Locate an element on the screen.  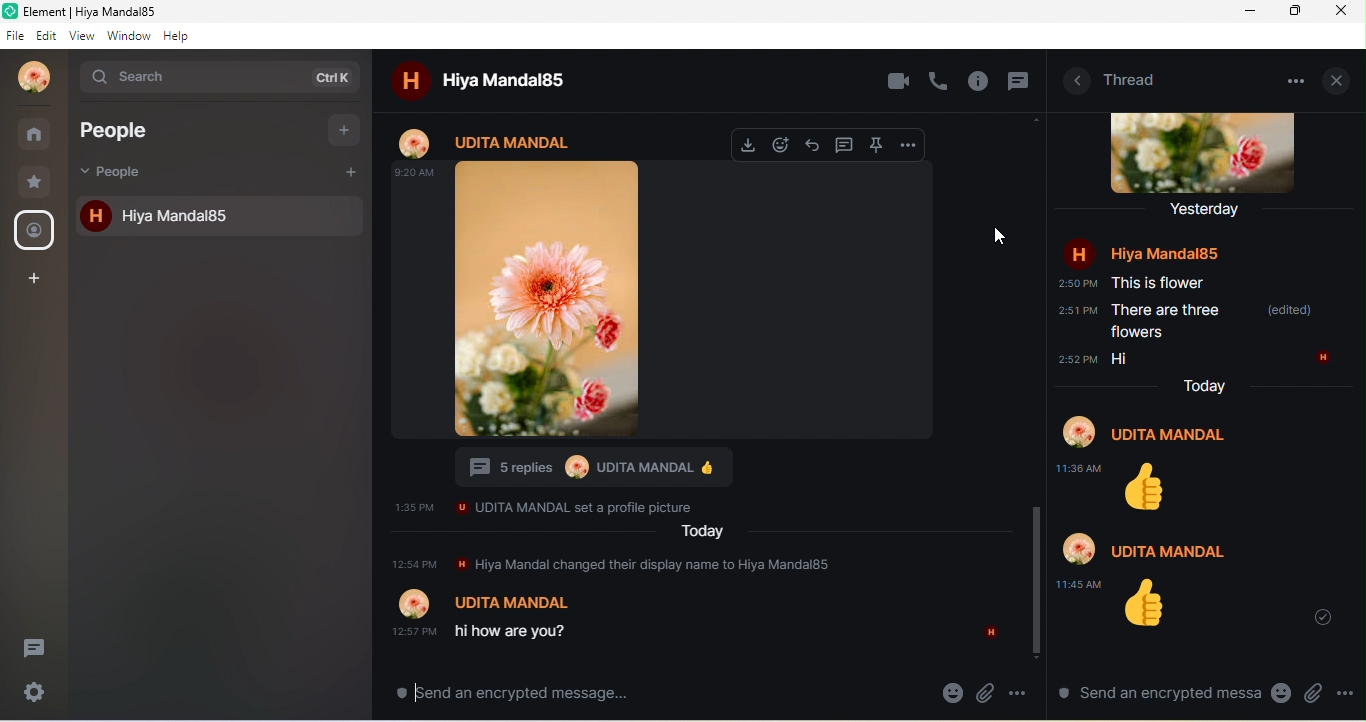
option is located at coordinates (1301, 78).